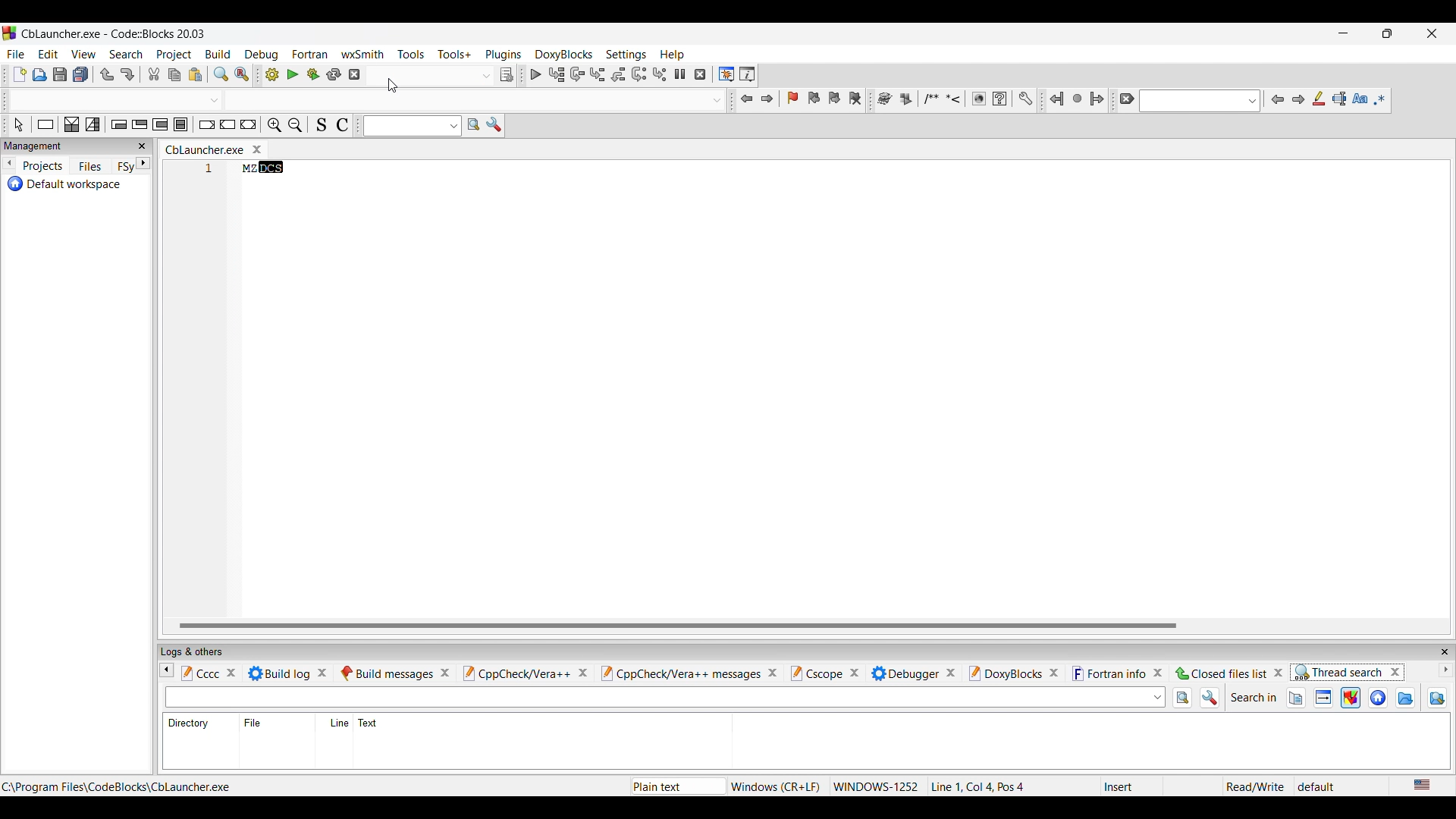  What do you see at coordinates (119, 124) in the screenshot?
I see `Entry condition loop` at bounding box center [119, 124].